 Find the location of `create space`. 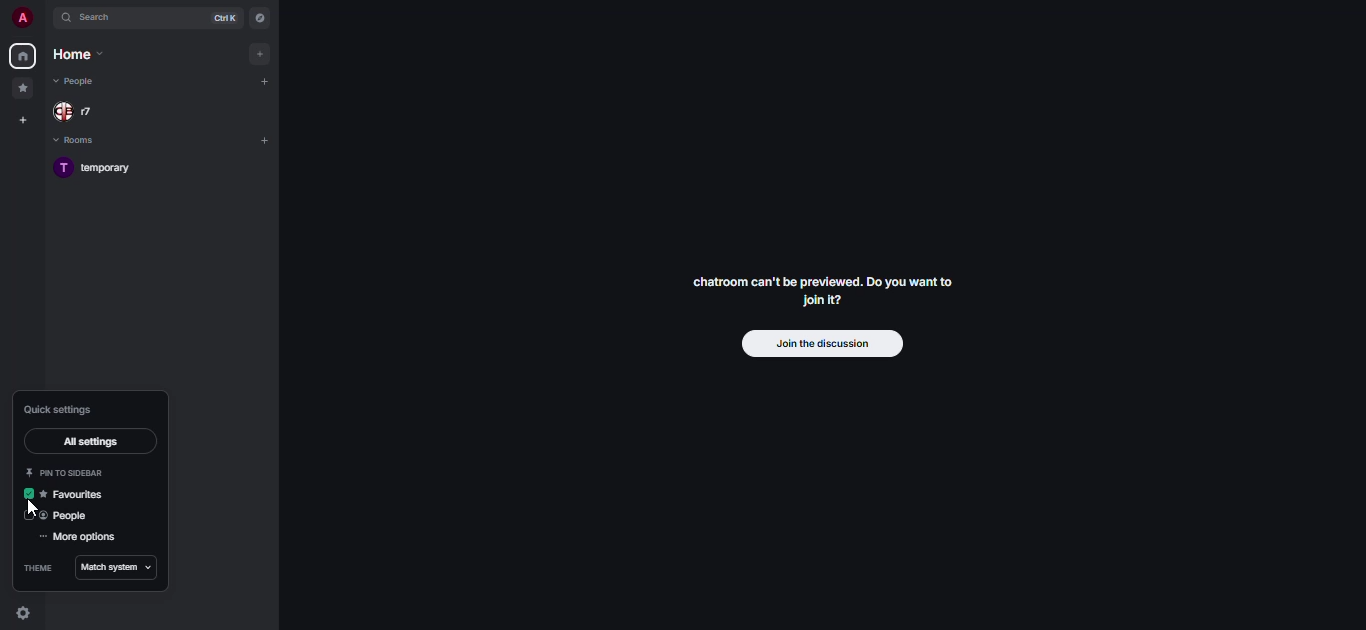

create space is located at coordinates (24, 121).